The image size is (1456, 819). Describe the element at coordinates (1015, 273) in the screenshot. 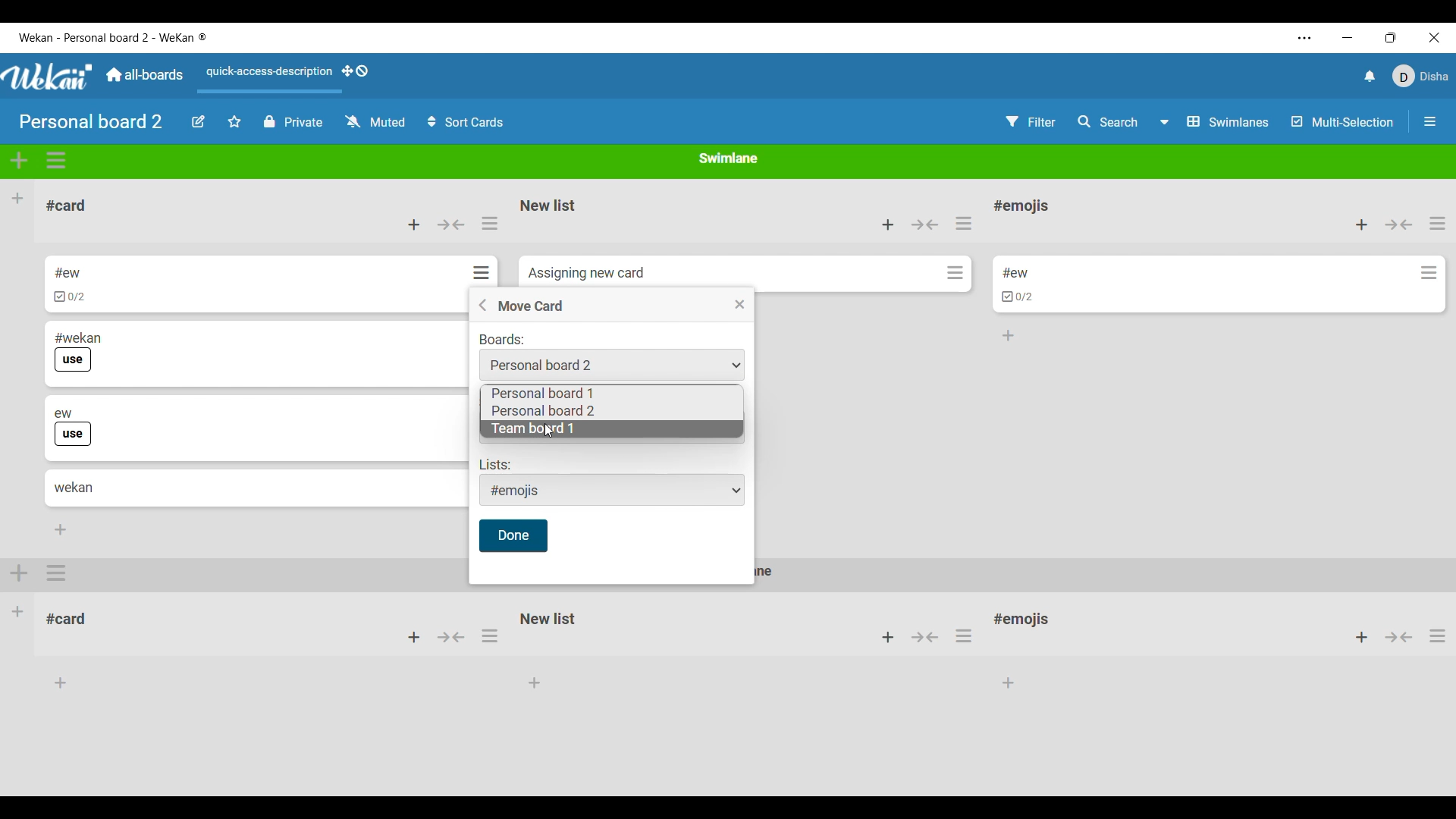

I see `Card name` at that location.